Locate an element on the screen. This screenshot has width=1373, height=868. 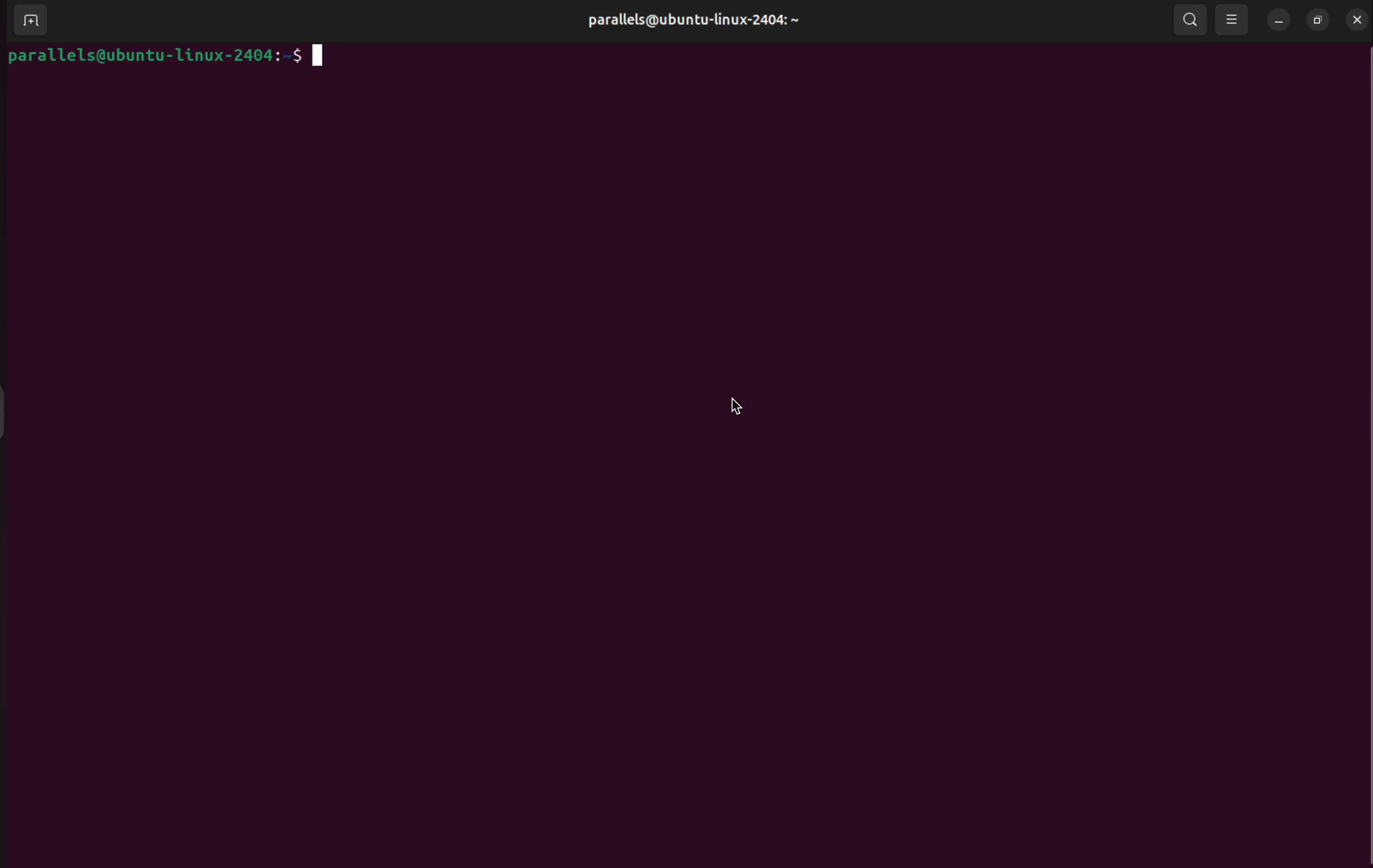
resize is located at coordinates (1316, 21).